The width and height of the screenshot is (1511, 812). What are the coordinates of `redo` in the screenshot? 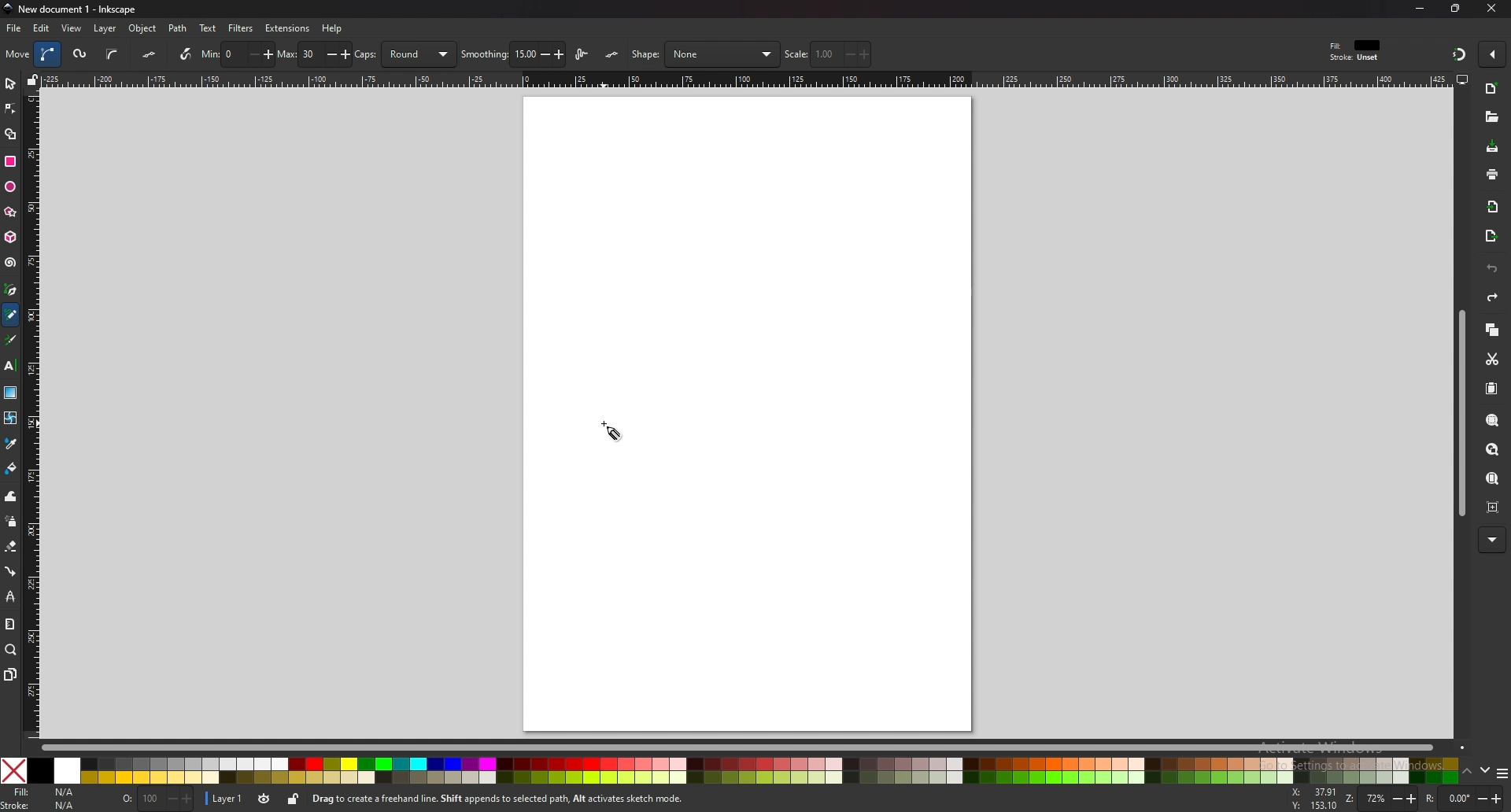 It's located at (1492, 298).